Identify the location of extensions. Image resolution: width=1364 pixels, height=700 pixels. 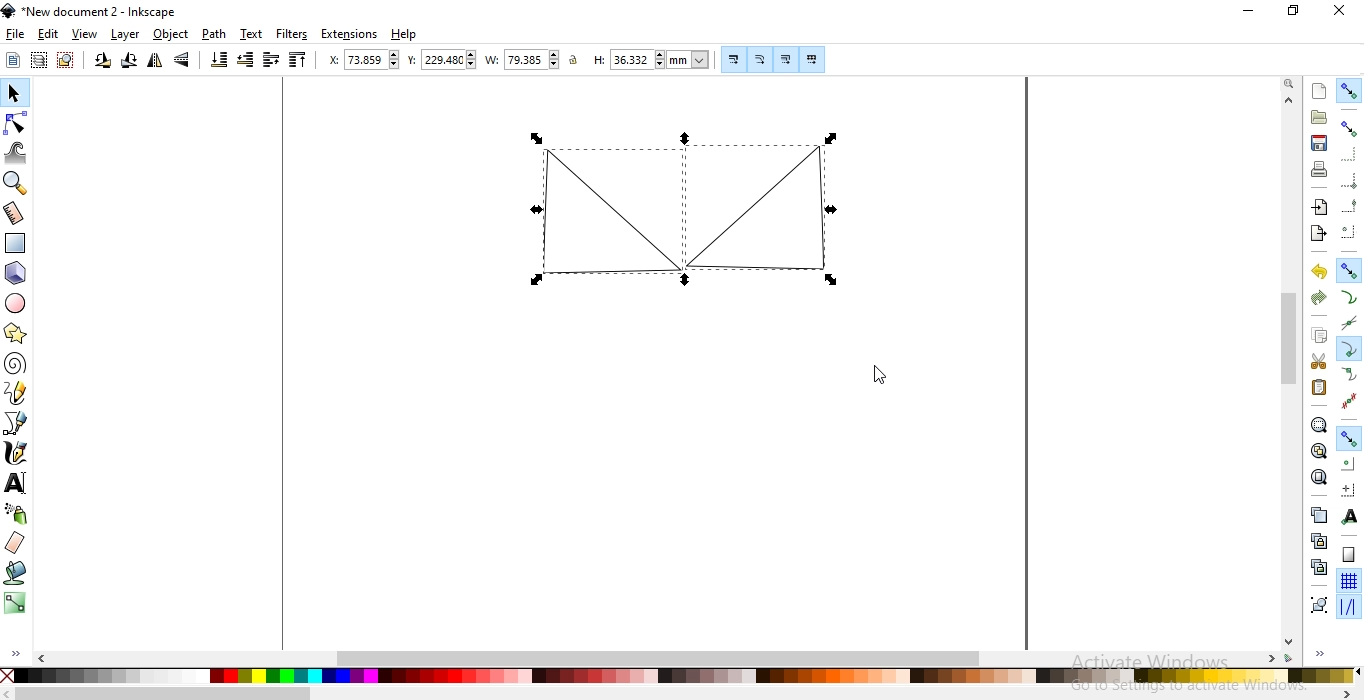
(350, 35).